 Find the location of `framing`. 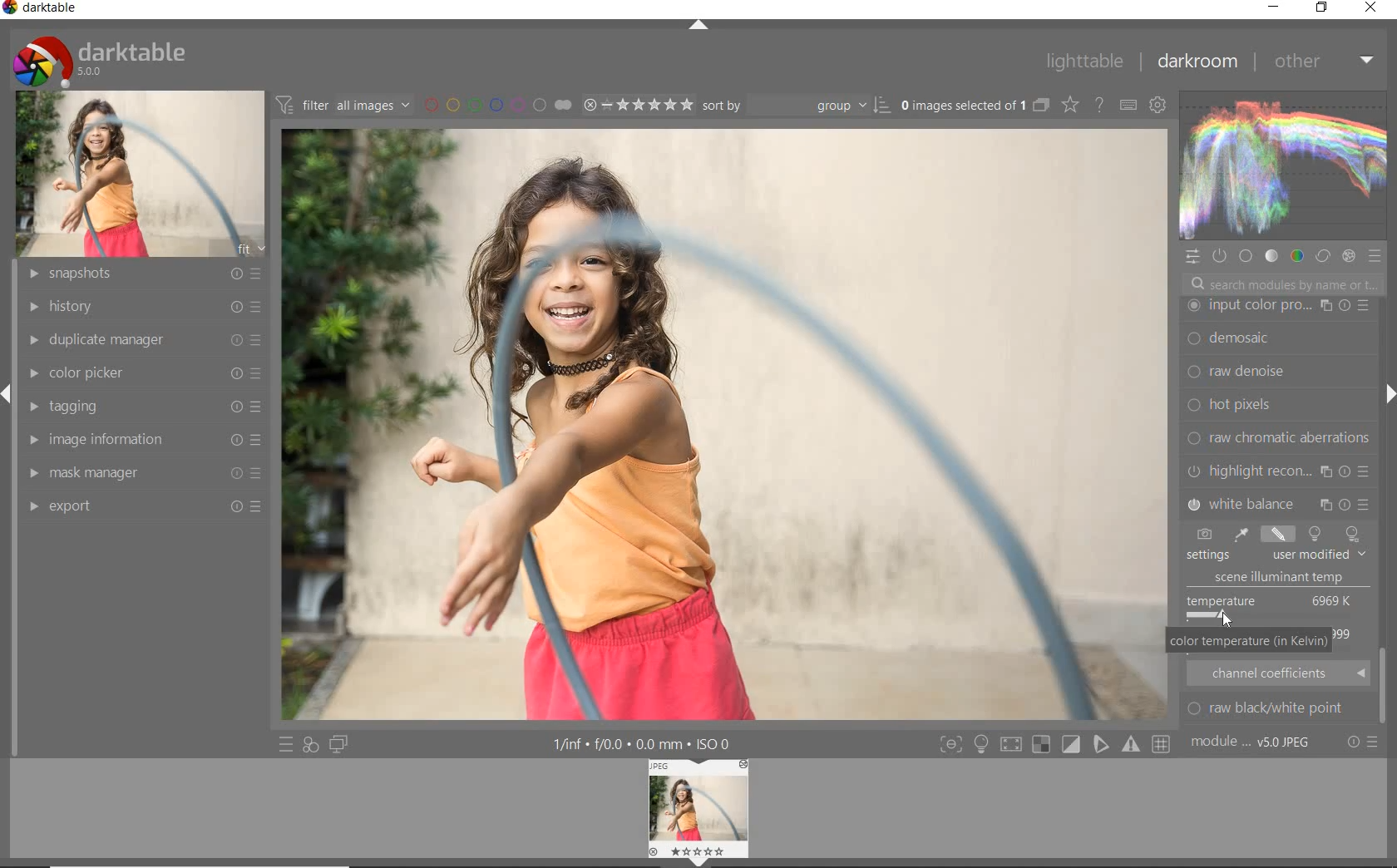

framing is located at coordinates (1277, 340).